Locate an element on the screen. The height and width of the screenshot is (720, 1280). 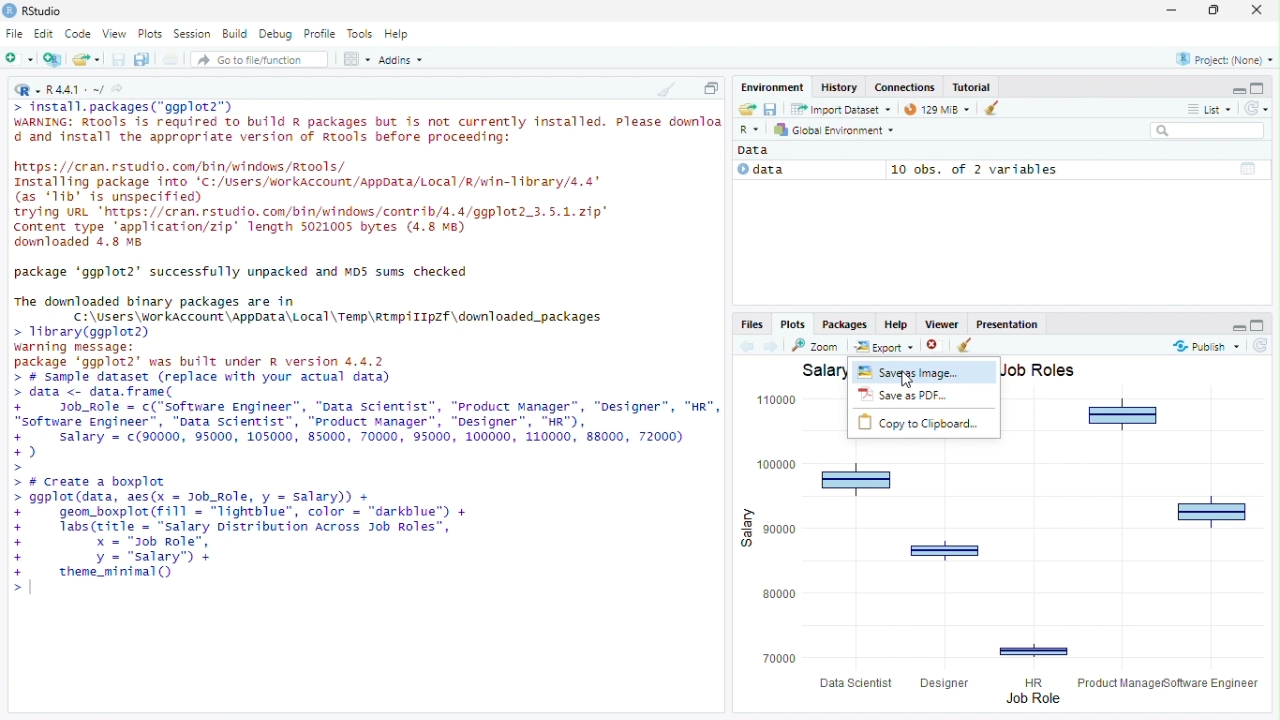
Close is located at coordinates (1260, 10).